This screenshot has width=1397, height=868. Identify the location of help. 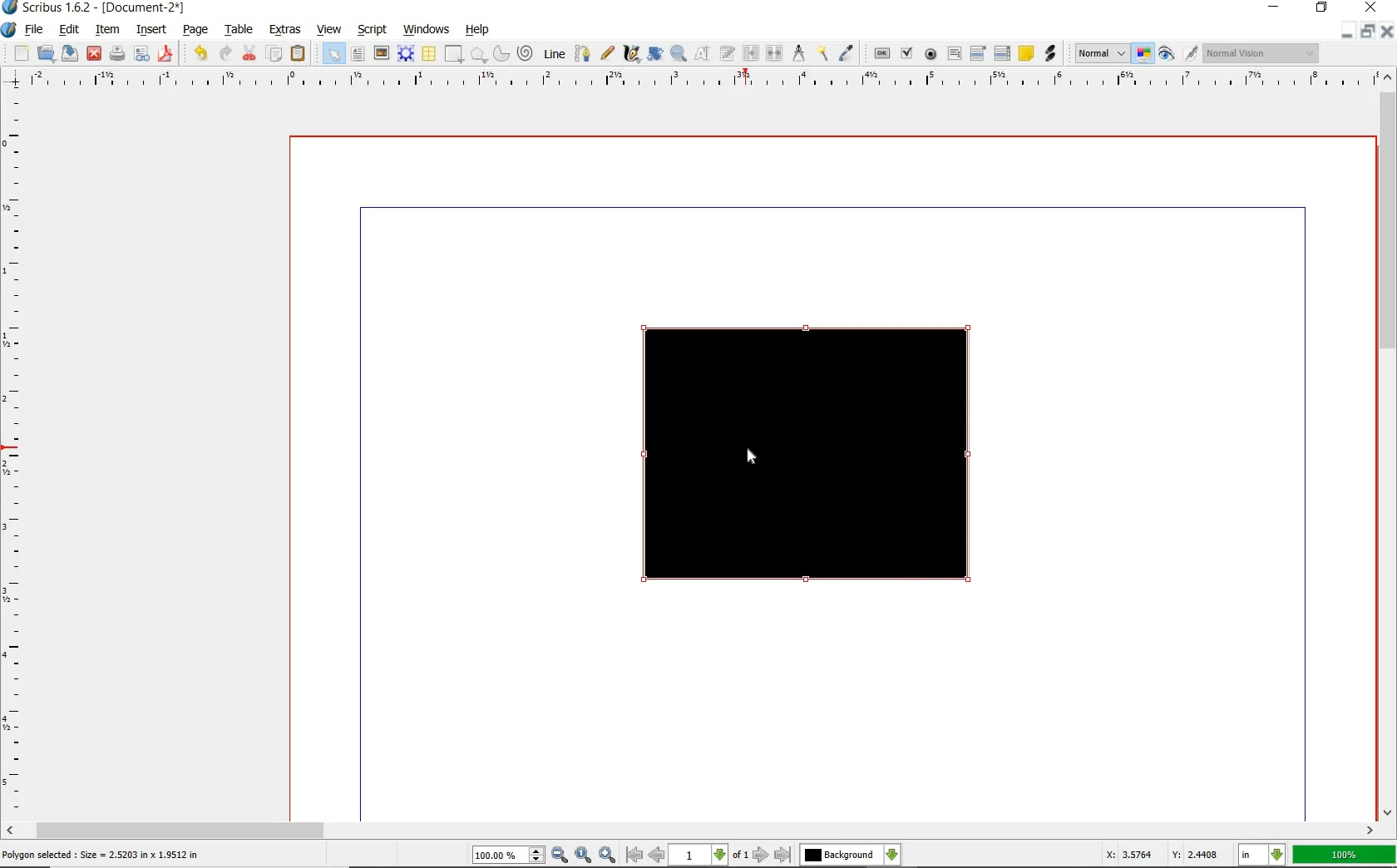
(479, 31).